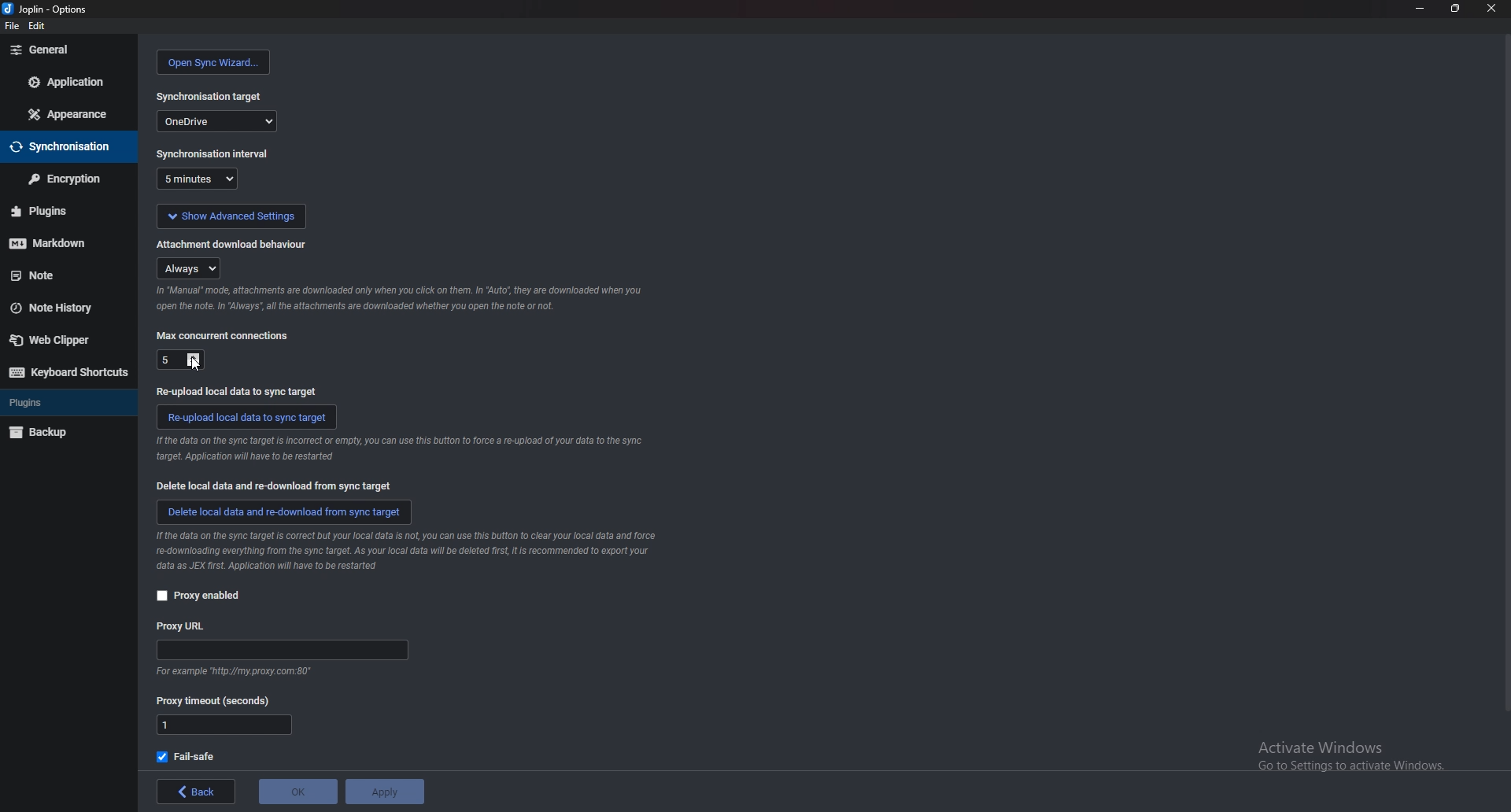  What do you see at coordinates (212, 97) in the screenshot?
I see `sync target` at bounding box center [212, 97].